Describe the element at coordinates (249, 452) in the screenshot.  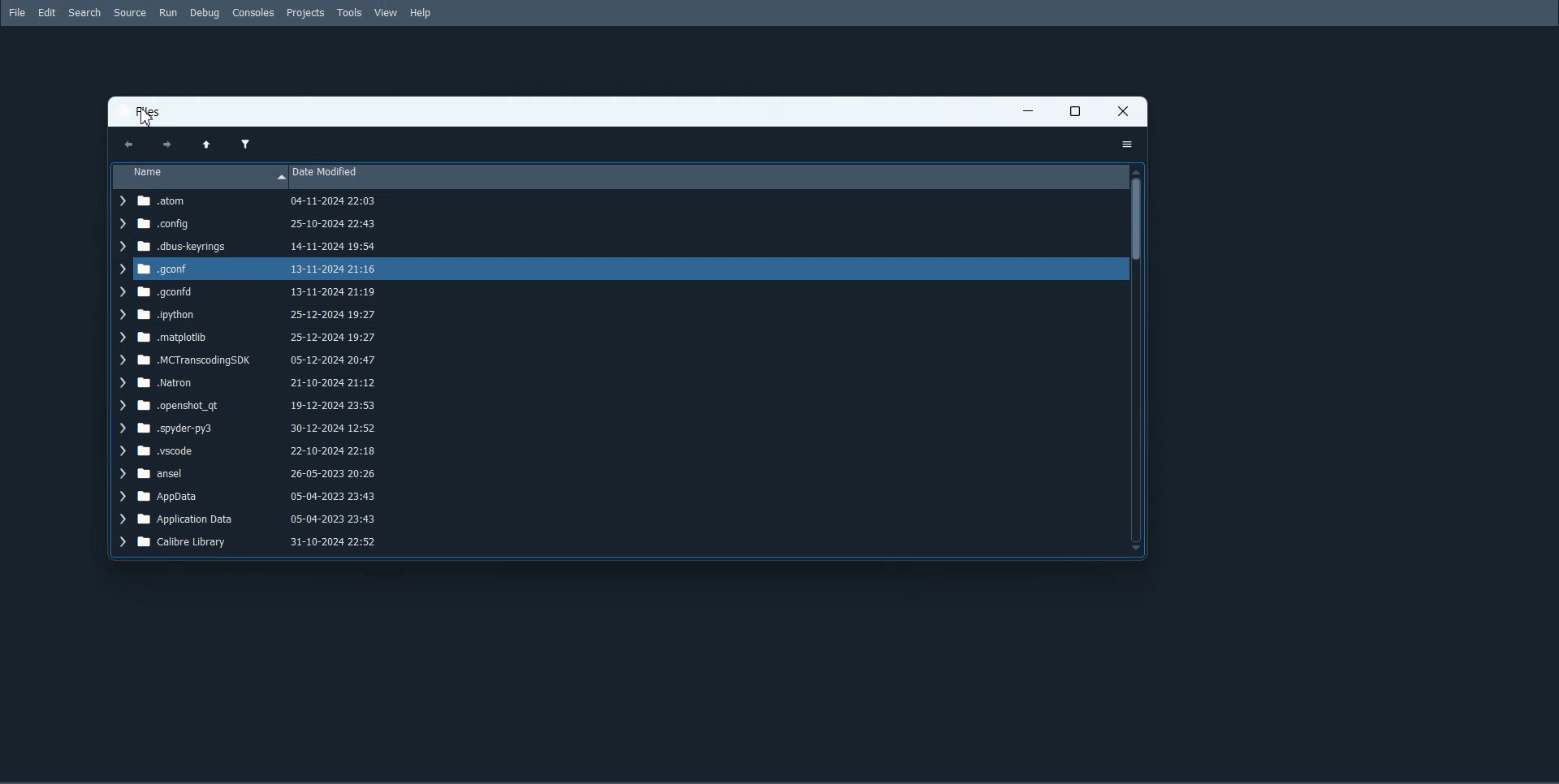
I see `.vscode 22-10-2024 22:18` at that location.